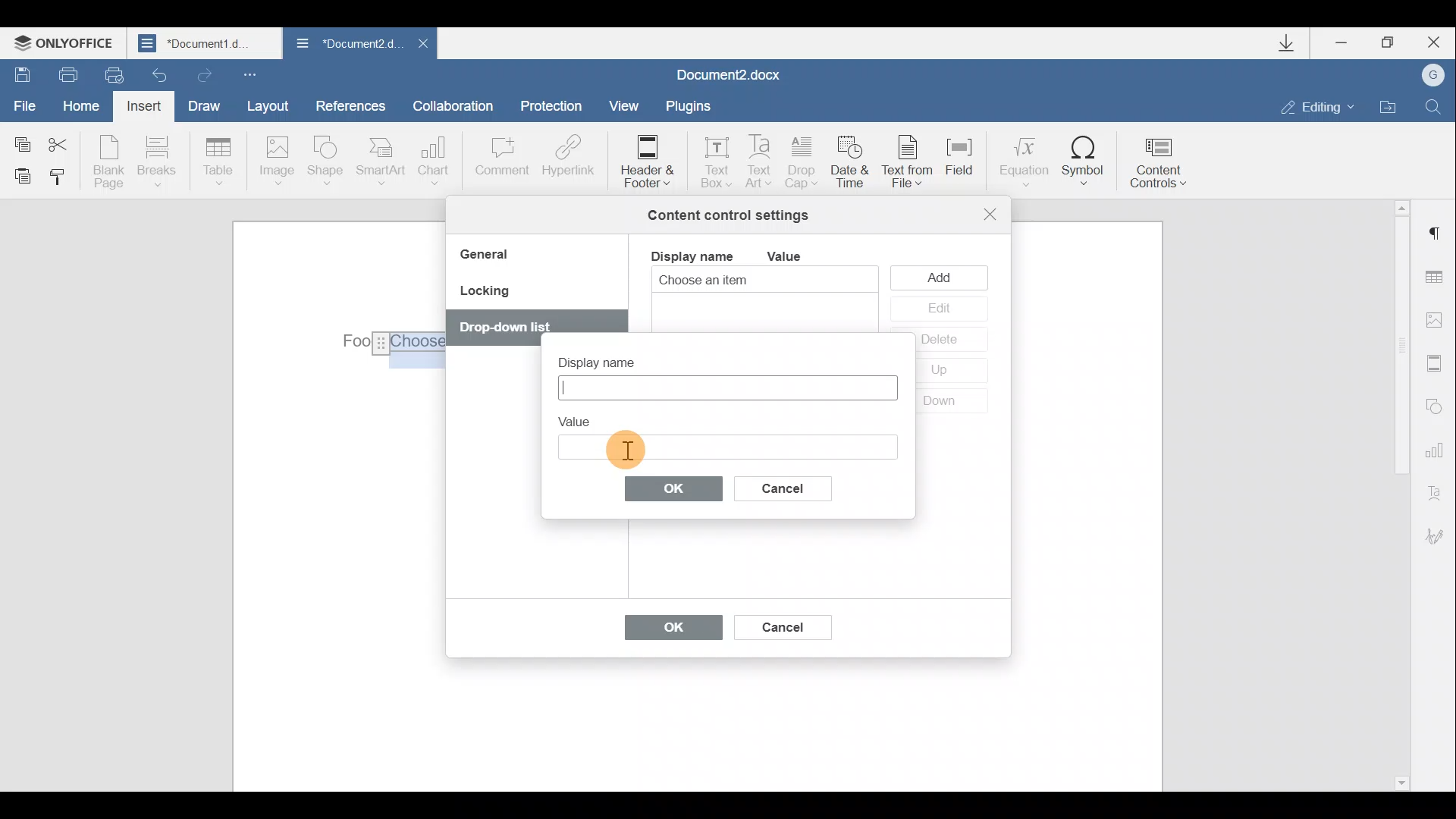 The width and height of the screenshot is (1456, 819). What do you see at coordinates (253, 74) in the screenshot?
I see `Customize quick access toolbar` at bounding box center [253, 74].